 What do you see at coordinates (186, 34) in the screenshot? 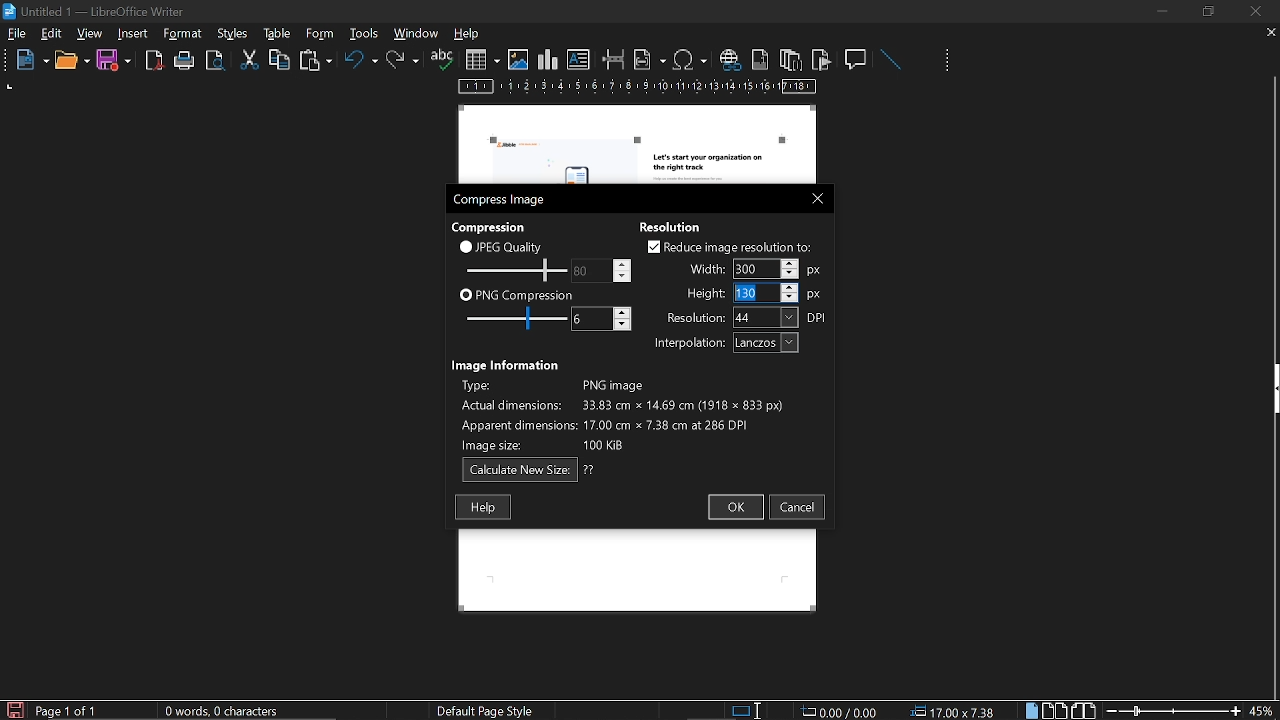
I see `tools` at bounding box center [186, 34].